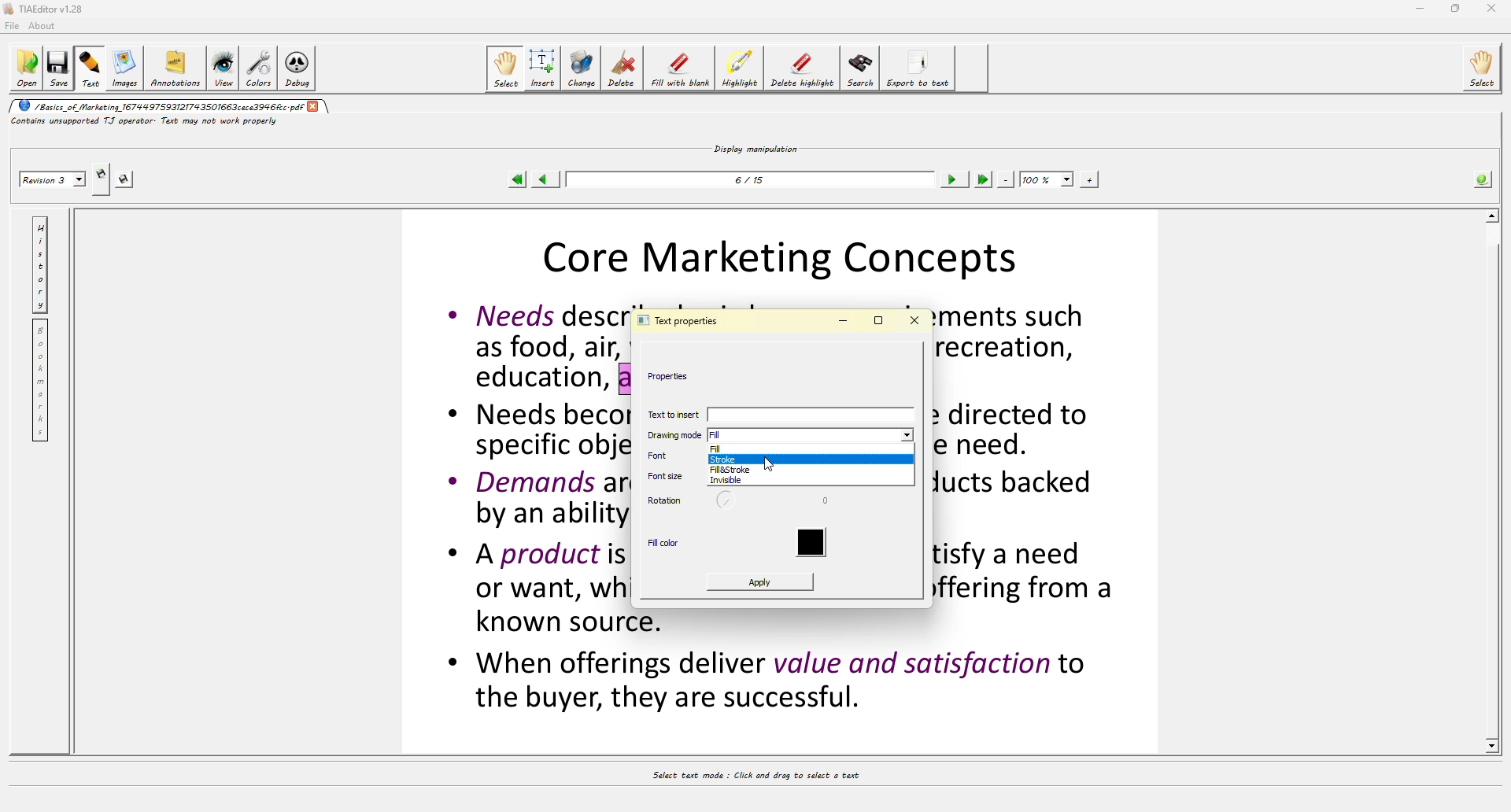 This screenshot has height=812, width=1511. Describe the element at coordinates (740, 71) in the screenshot. I see `highlight` at that location.